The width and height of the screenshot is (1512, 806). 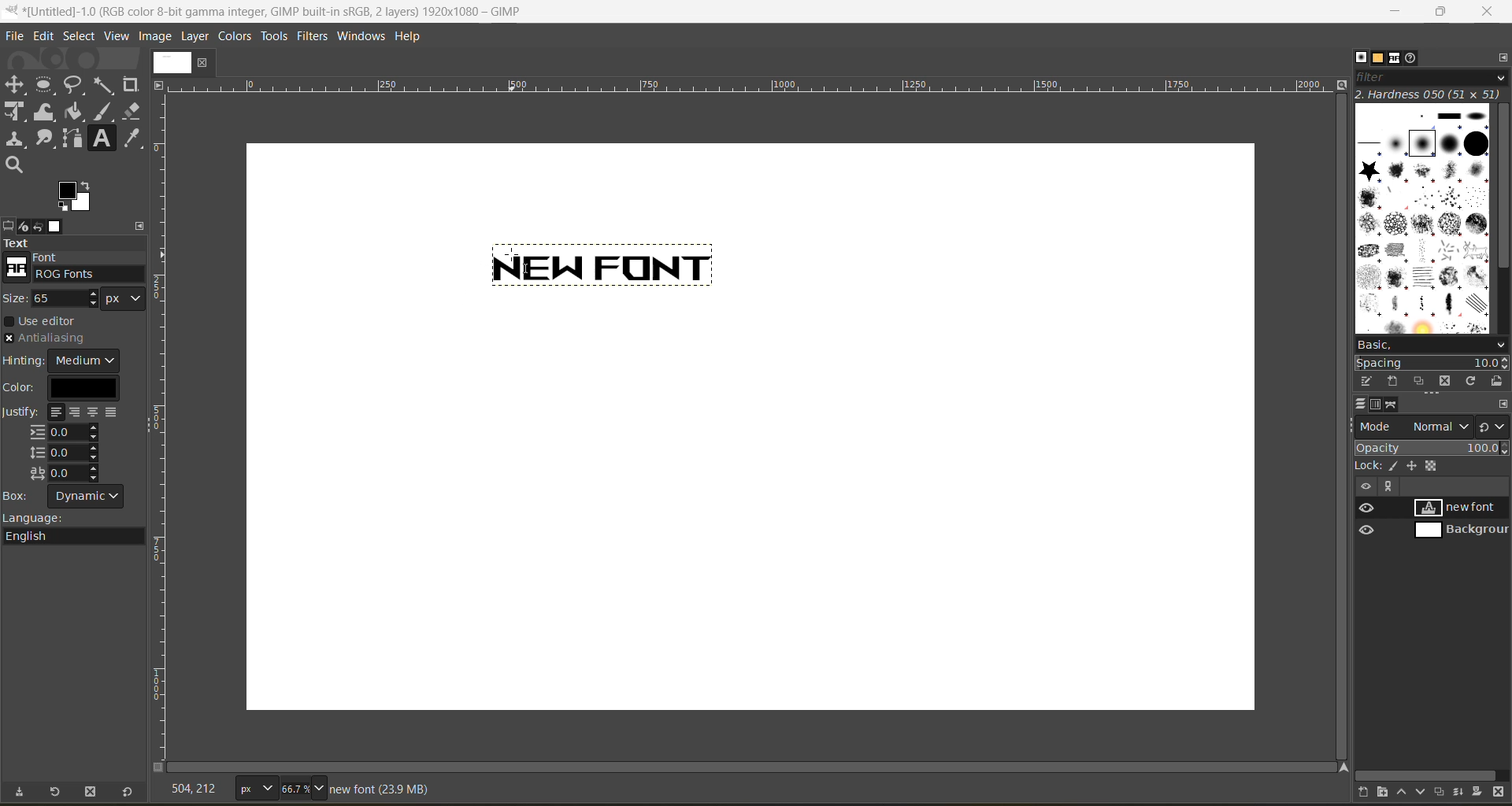 What do you see at coordinates (1340, 426) in the screenshot?
I see `vertical scroll bar` at bounding box center [1340, 426].